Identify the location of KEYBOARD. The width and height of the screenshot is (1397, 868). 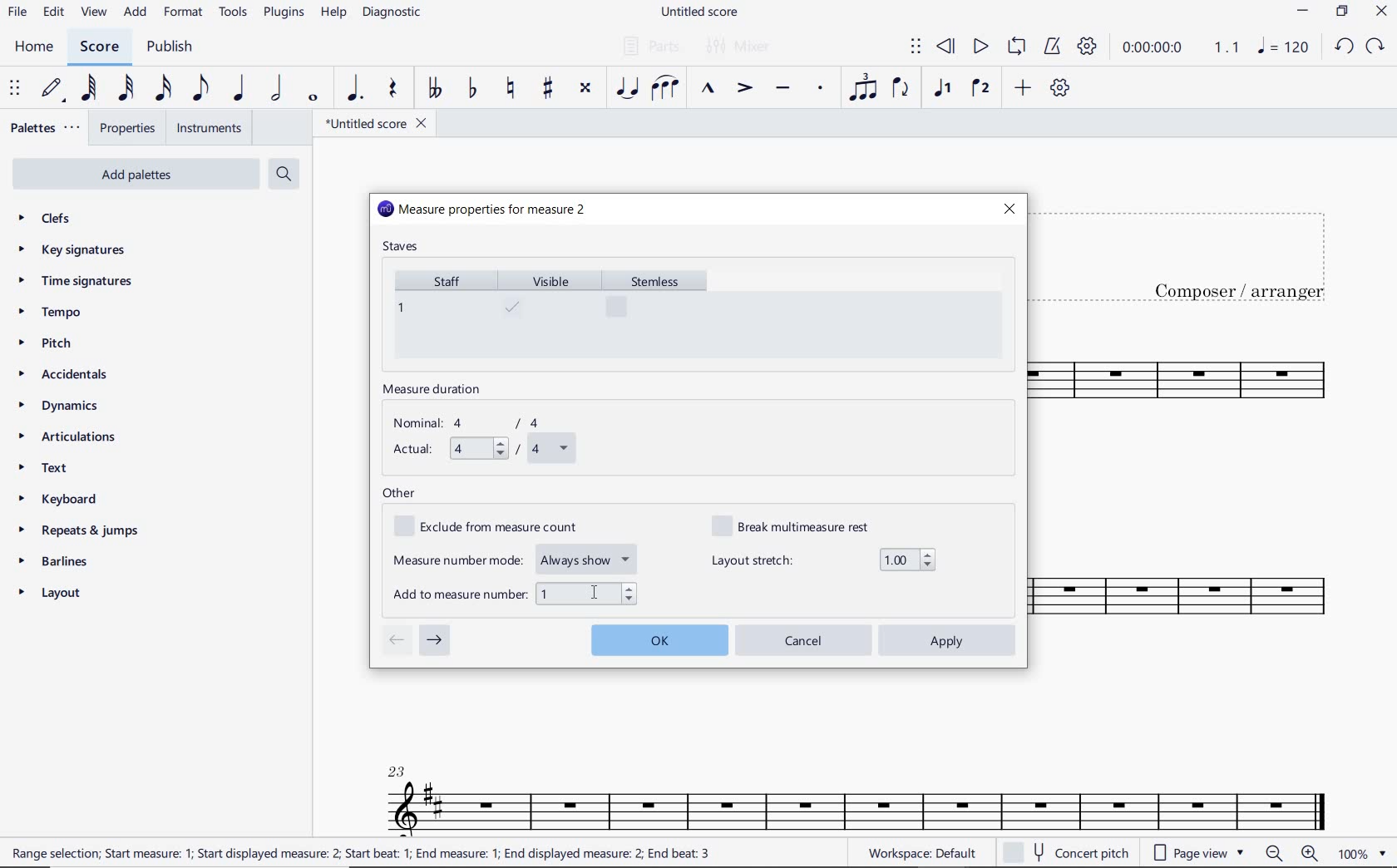
(72, 501).